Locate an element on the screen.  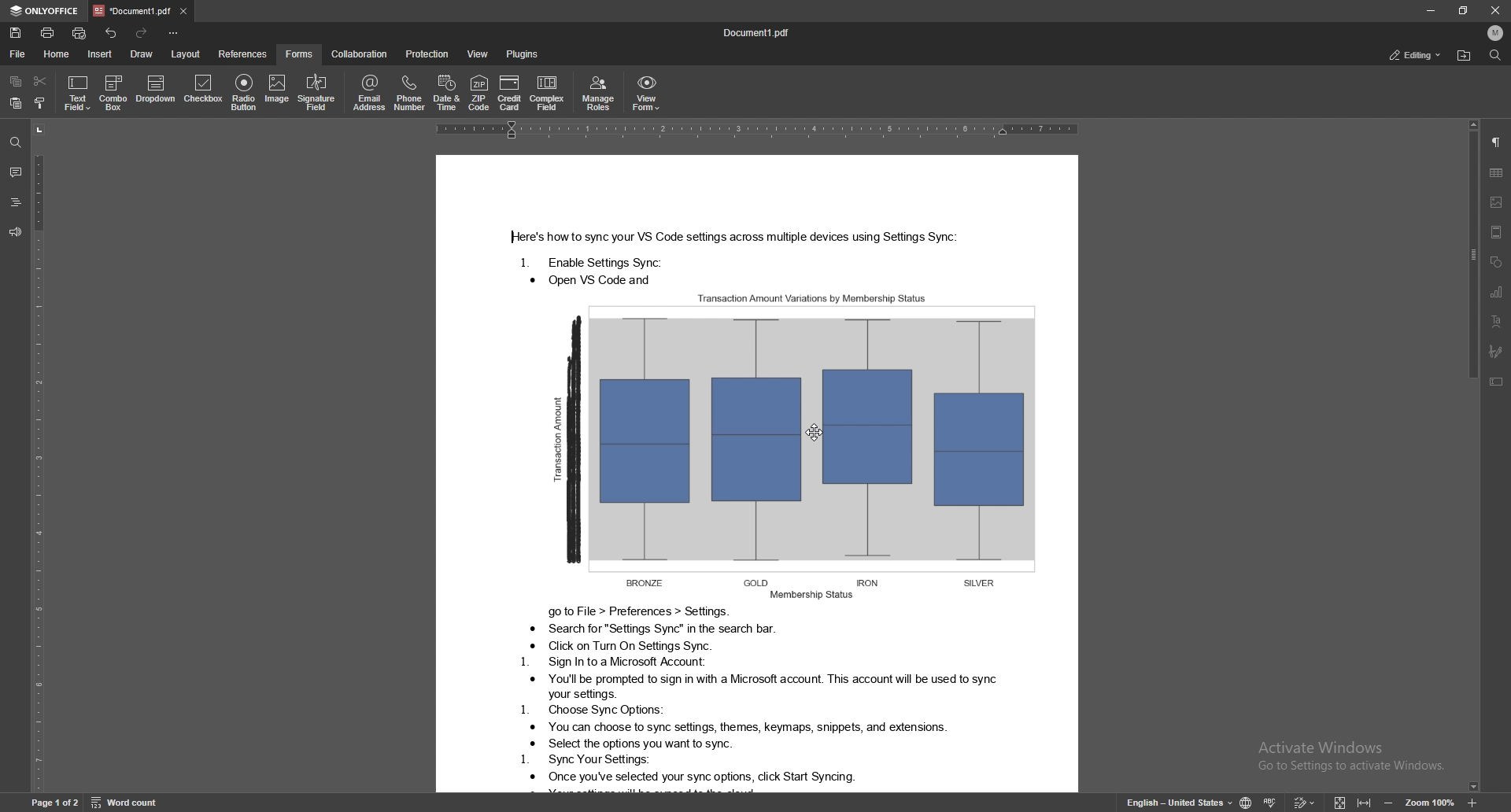
options is located at coordinates (173, 32).